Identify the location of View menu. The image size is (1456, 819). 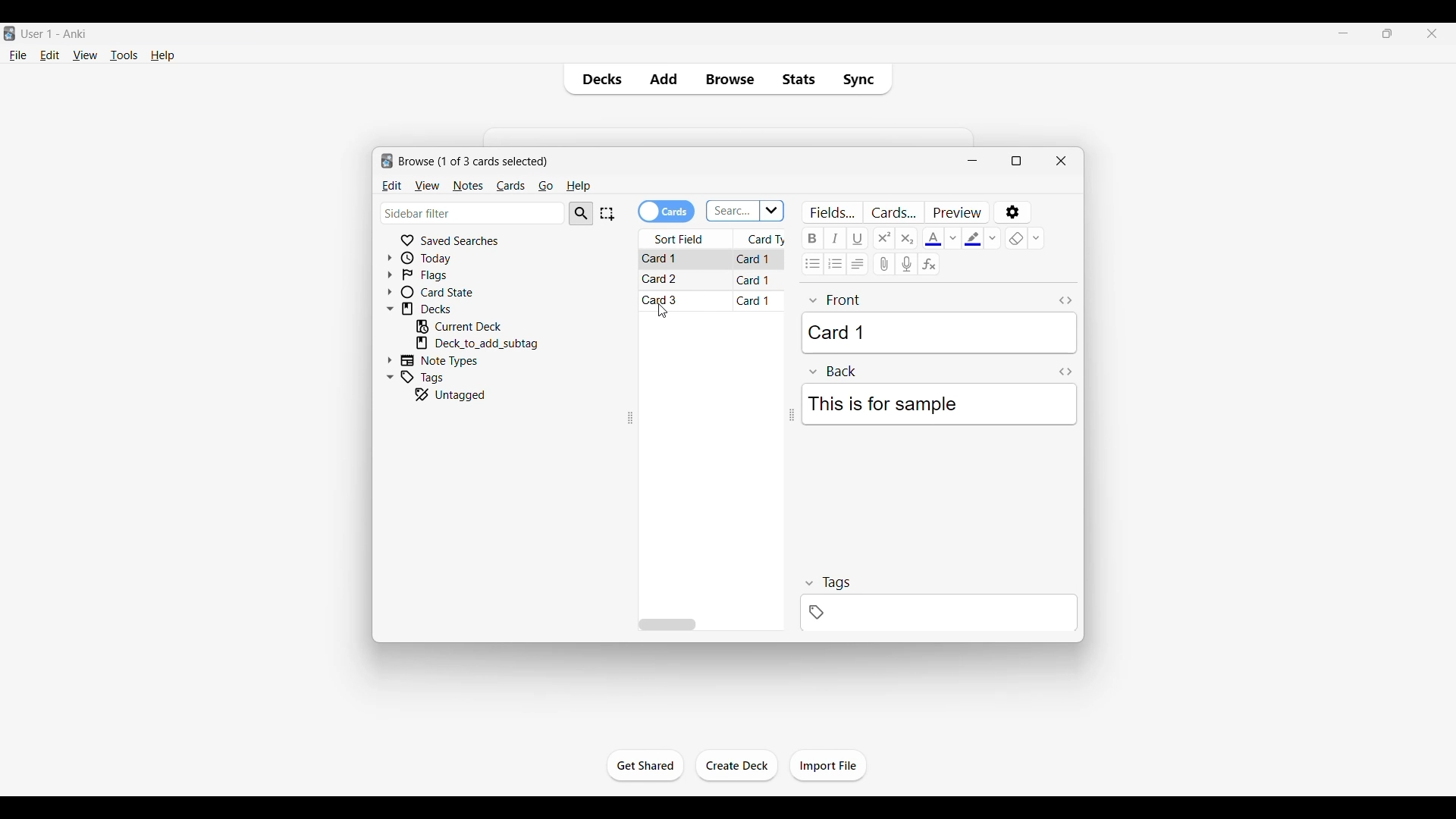
(86, 55).